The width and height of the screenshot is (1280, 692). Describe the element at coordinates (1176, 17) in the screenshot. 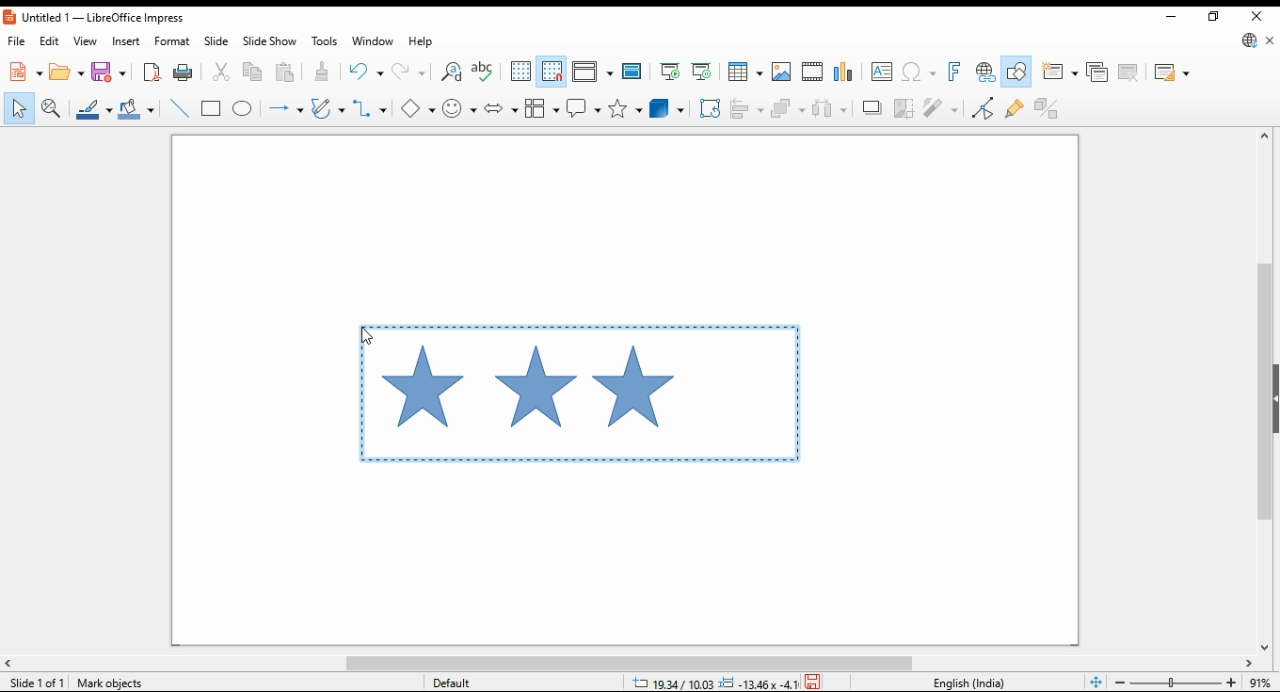

I see `minimize` at that location.